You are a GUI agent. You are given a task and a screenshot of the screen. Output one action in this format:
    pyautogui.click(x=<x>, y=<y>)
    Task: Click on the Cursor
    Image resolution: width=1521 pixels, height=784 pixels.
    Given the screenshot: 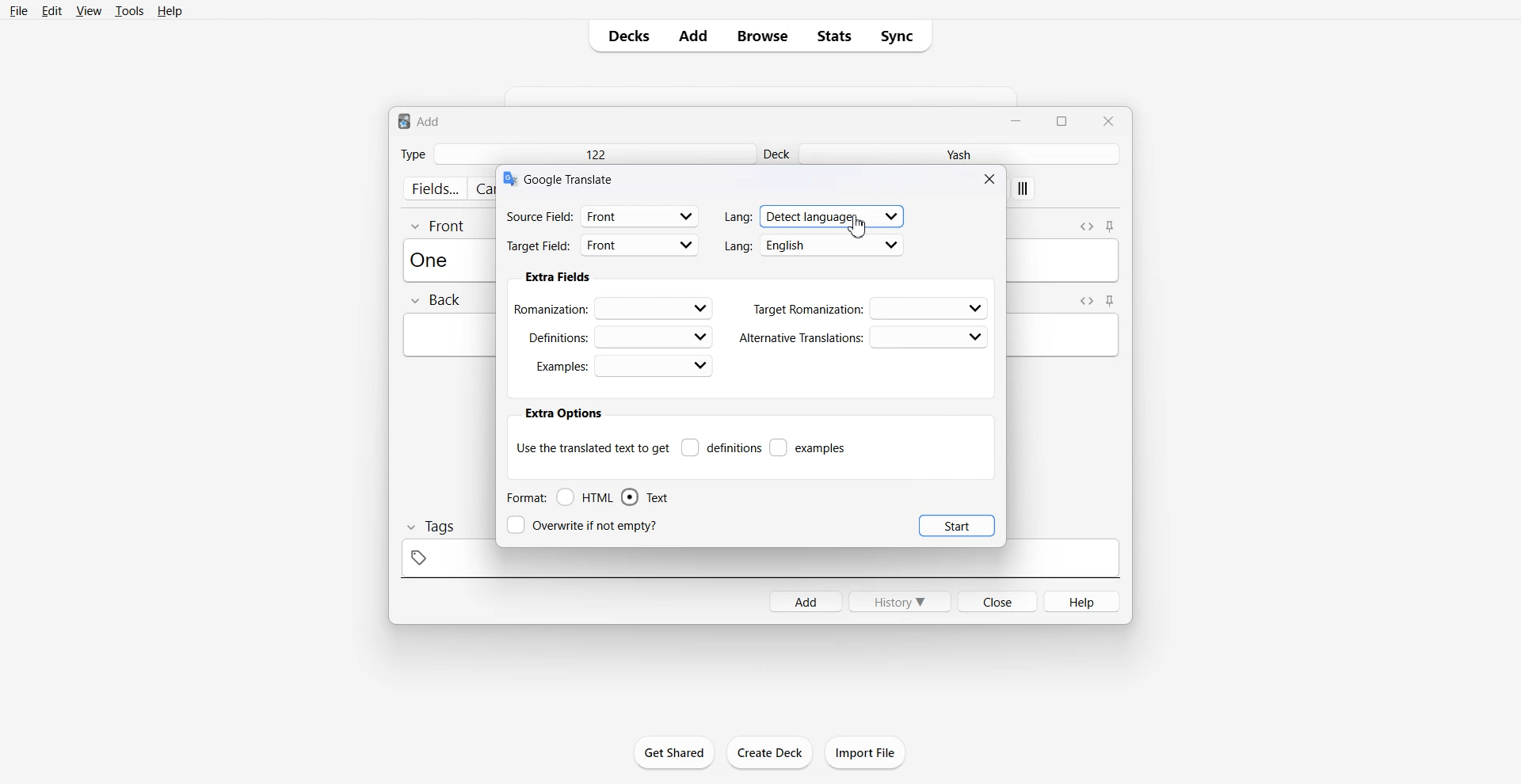 What is the action you would take?
    pyautogui.click(x=857, y=226)
    